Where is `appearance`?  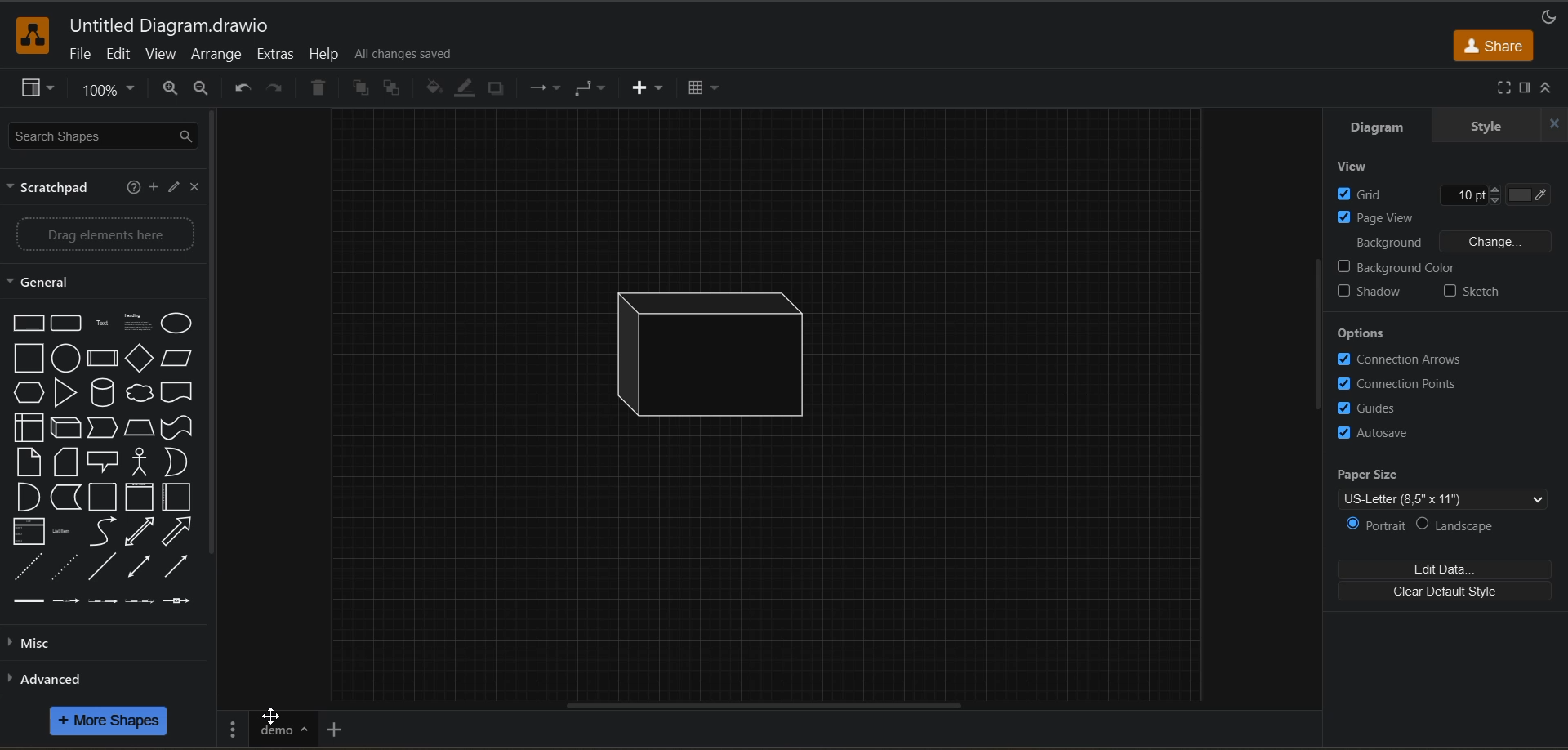 appearance is located at coordinates (1550, 16).